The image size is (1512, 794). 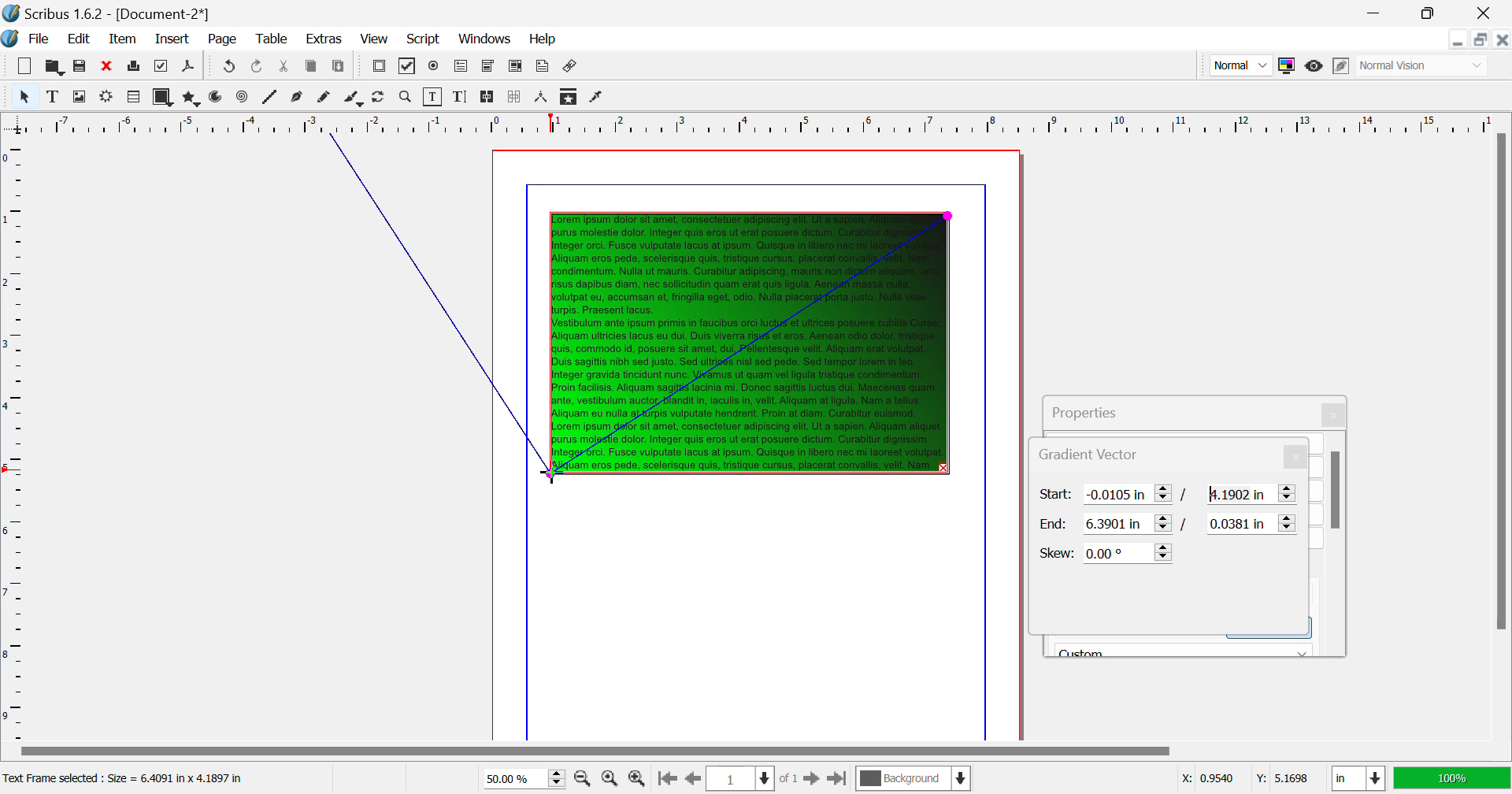 I want to click on Line, so click(x=270, y=98).